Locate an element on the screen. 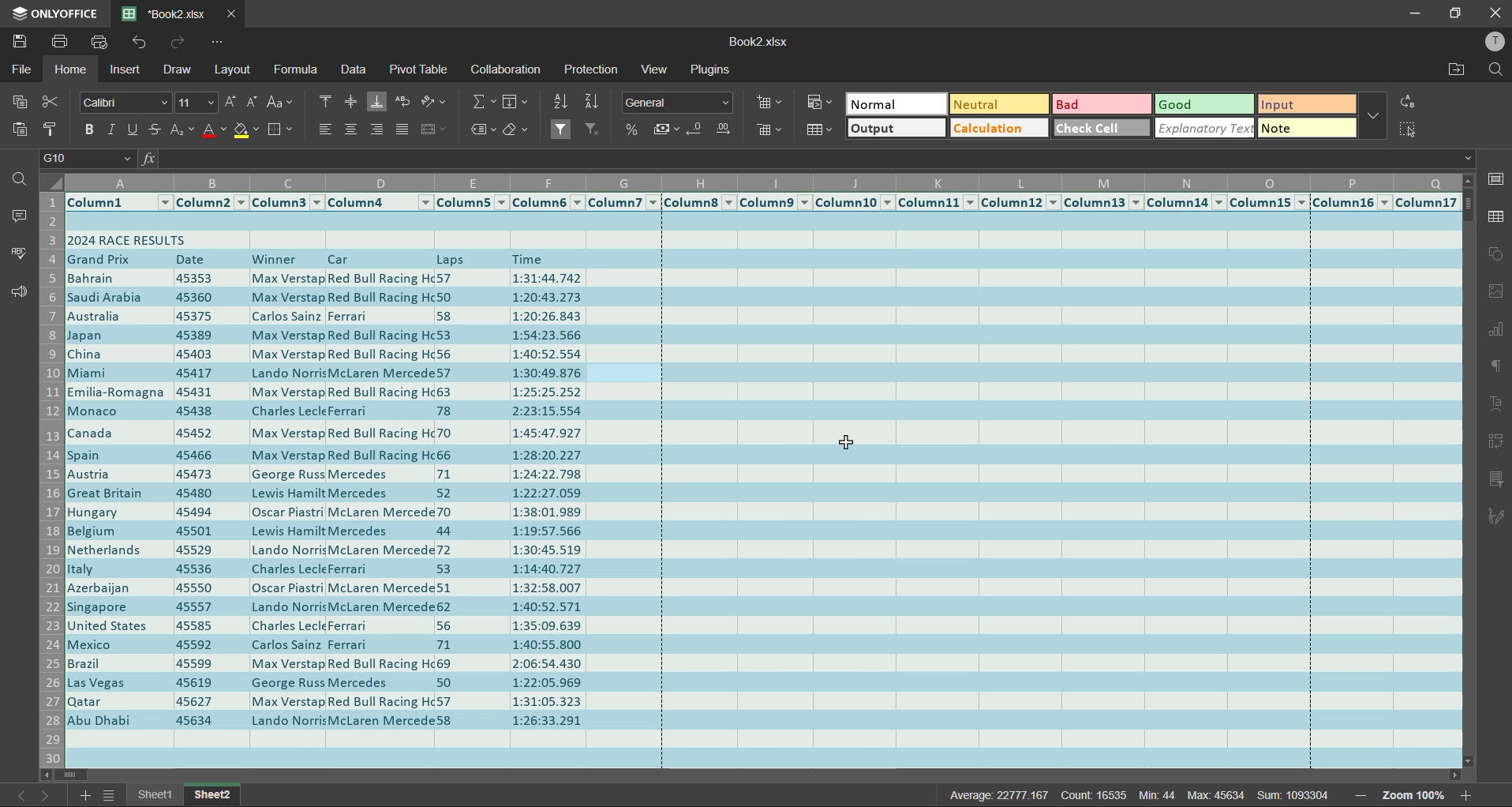 The height and width of the screenshot is (807, 1512). Column  is located at coordinates (774, 202).